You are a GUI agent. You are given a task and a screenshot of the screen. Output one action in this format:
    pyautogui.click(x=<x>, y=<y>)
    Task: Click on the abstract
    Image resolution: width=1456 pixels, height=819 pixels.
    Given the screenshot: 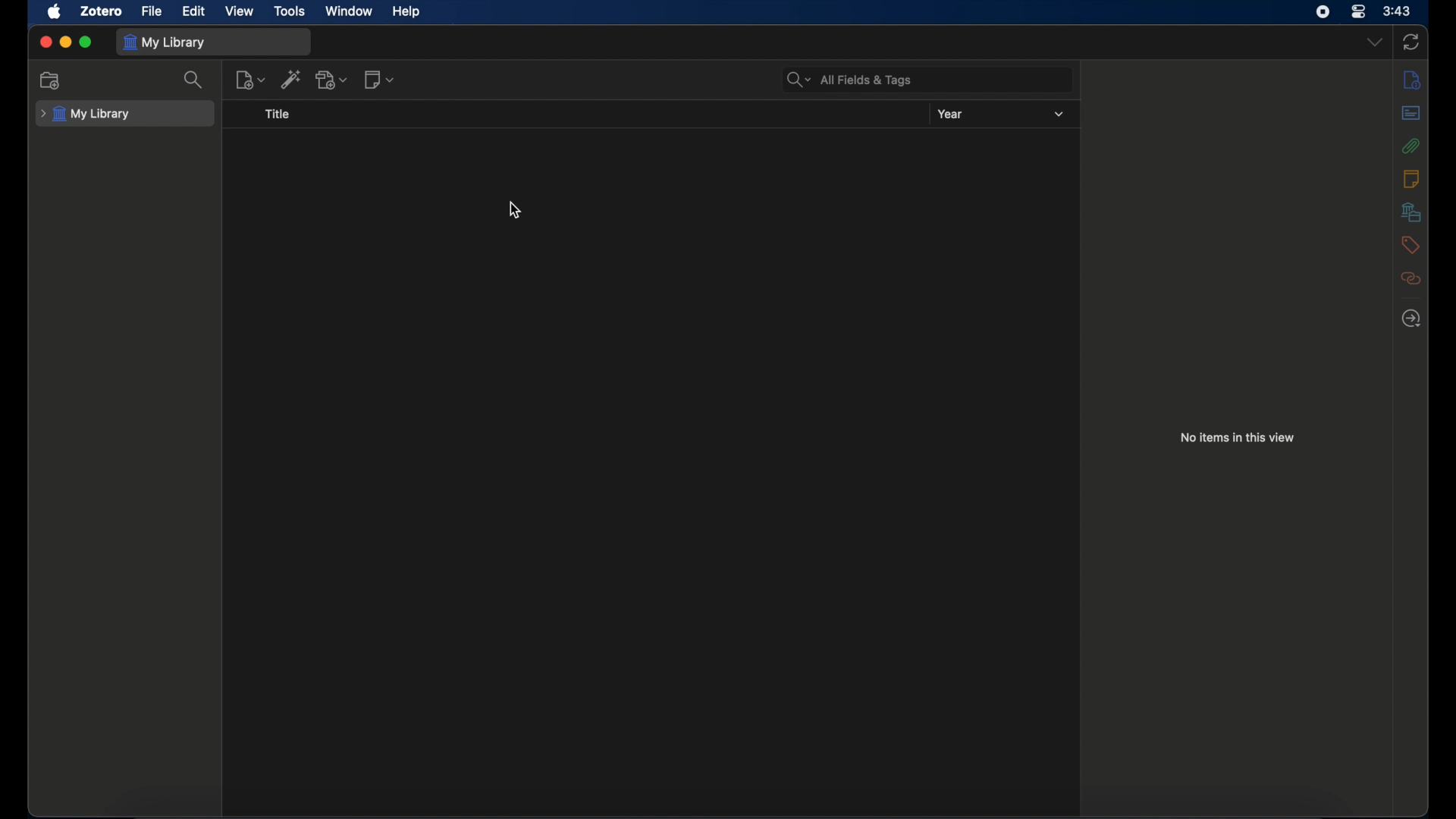 What is the action you would take?
    pyautogui.click(x=1411, y=113)
    